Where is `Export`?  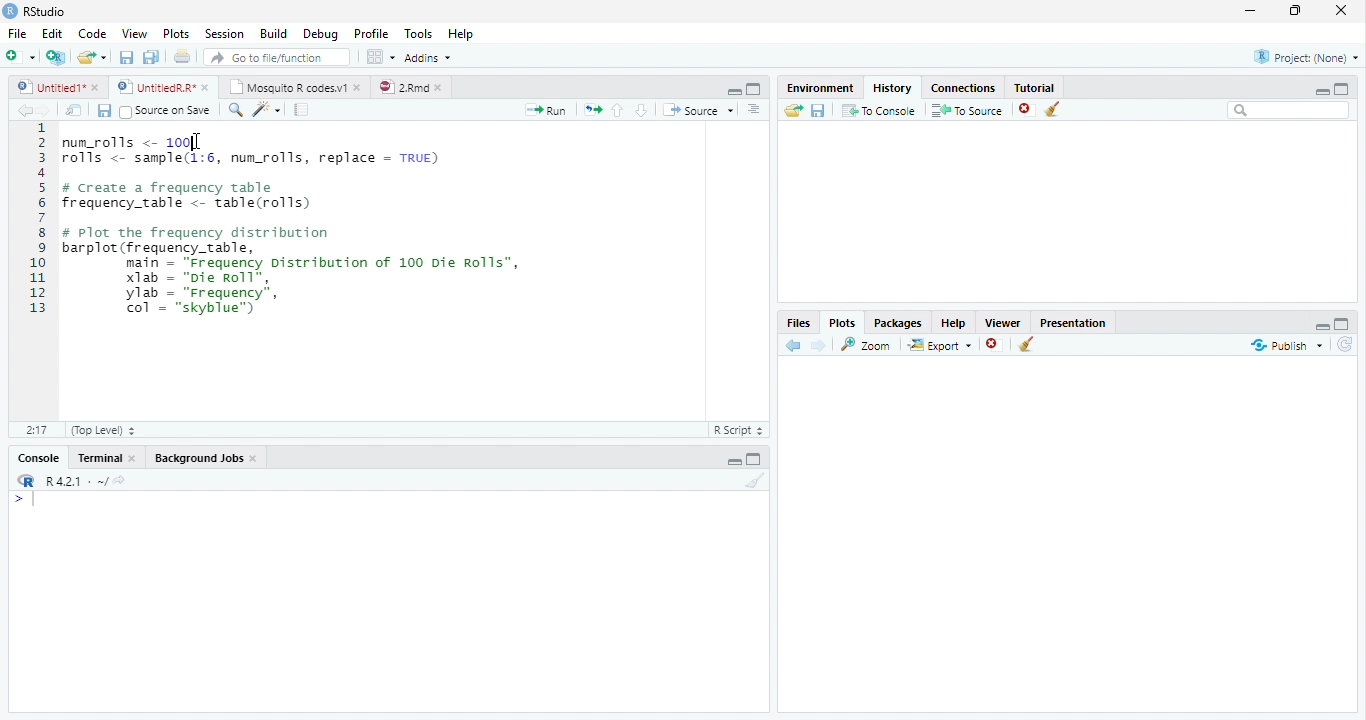 Export is located at coordinates (939, 346).